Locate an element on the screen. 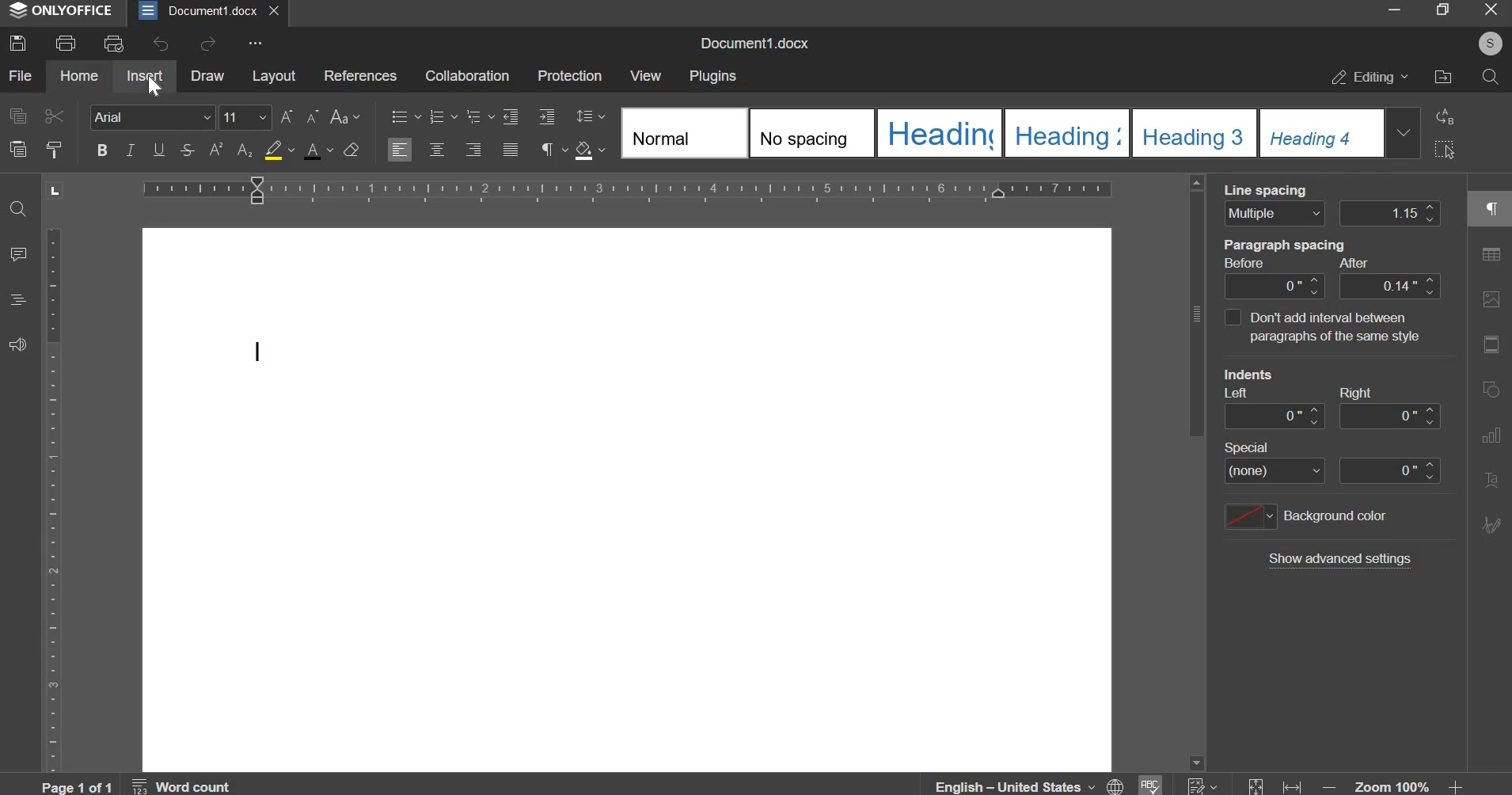  maximize is located at coordinates (1442, 9).